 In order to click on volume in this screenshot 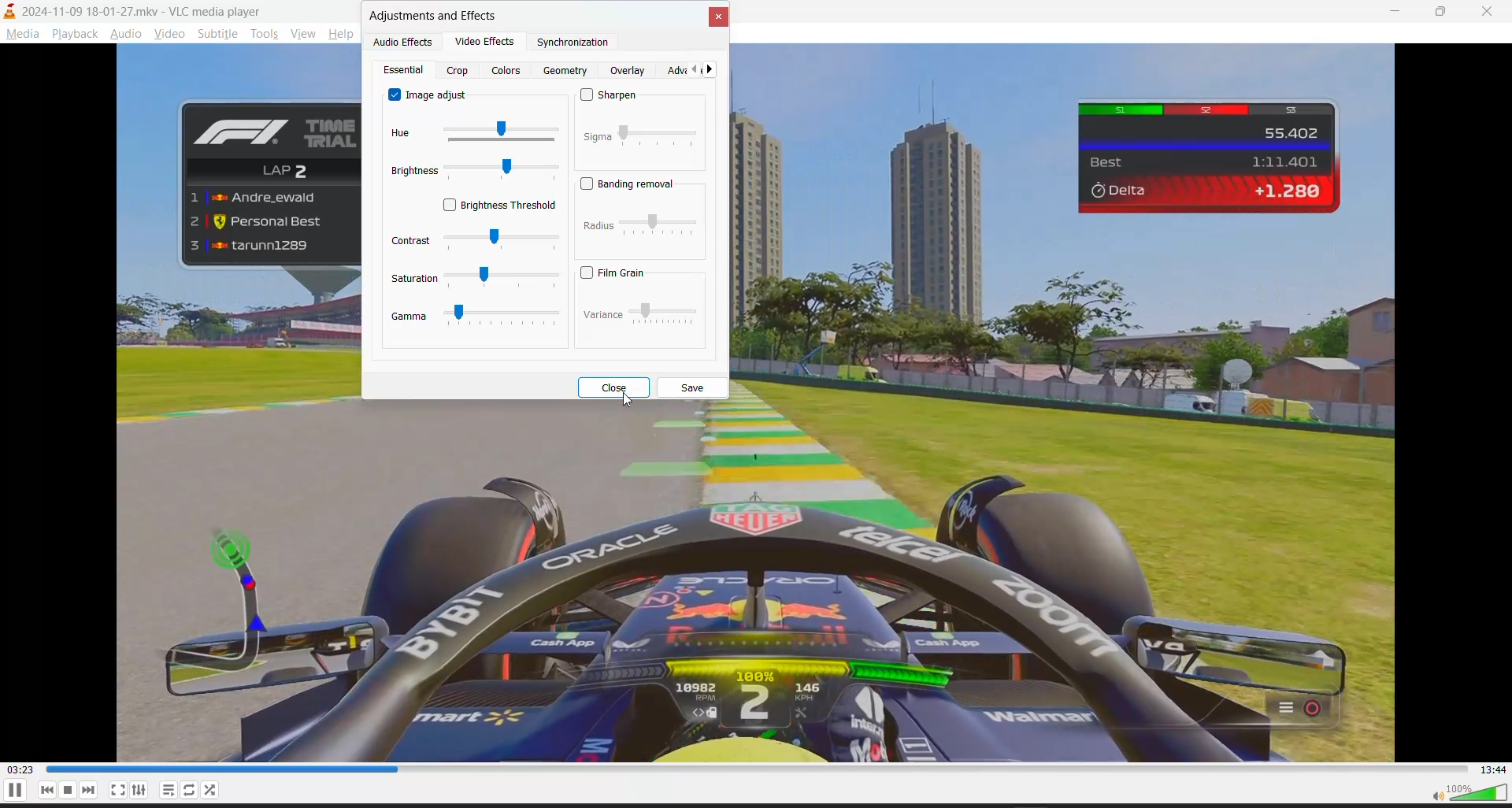, I will do `click(1469, 793)`.